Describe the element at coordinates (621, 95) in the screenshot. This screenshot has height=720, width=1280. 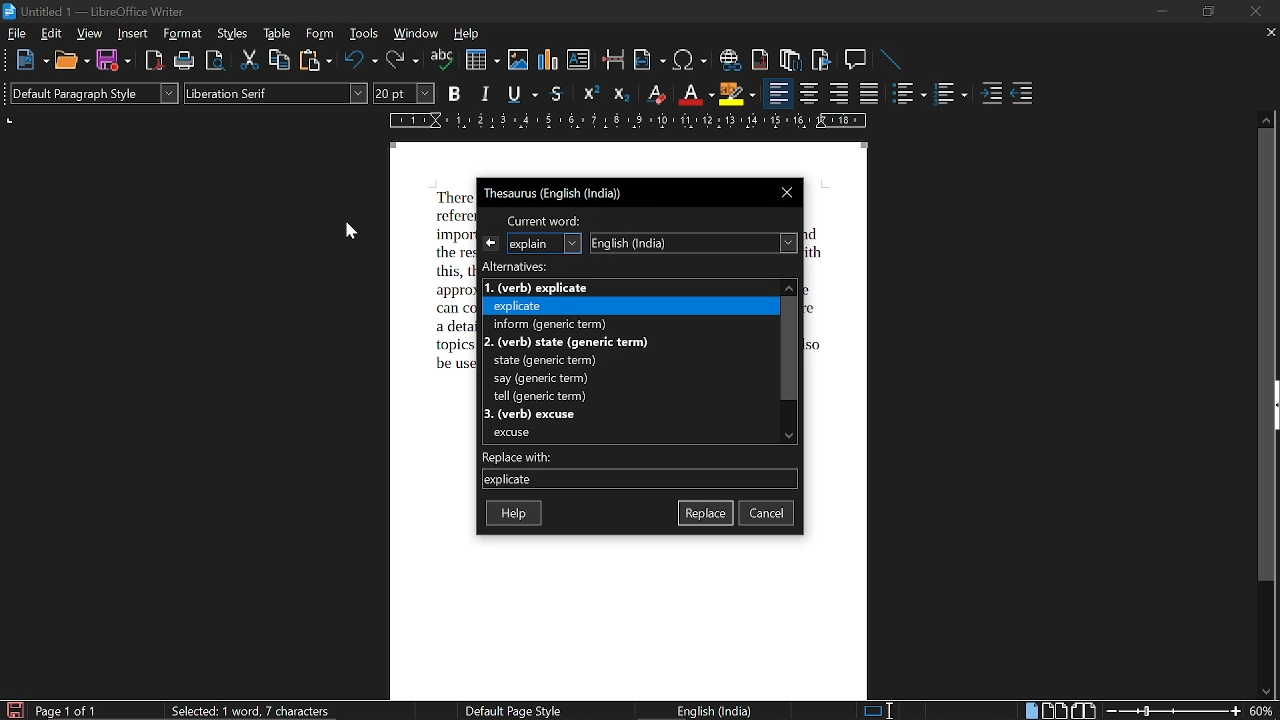
I see `subscript` at that location.